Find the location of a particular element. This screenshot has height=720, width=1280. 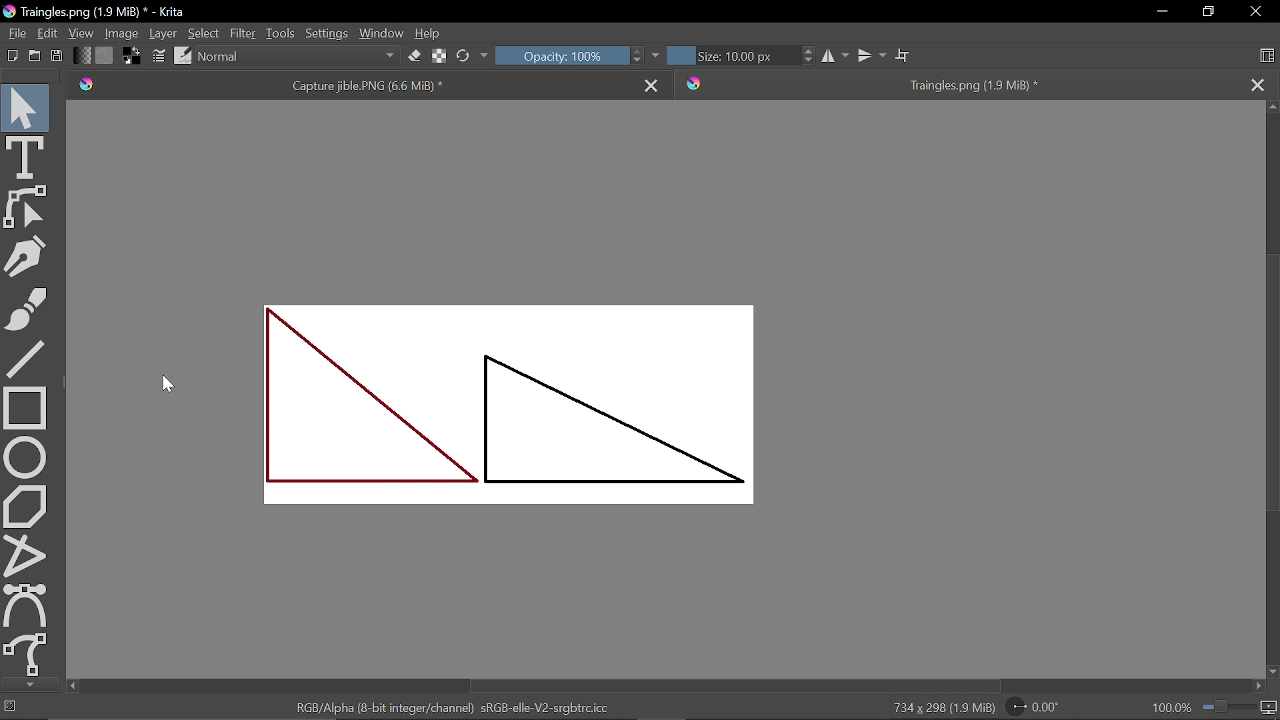

100.0% is located at coordinates (1215, 707).